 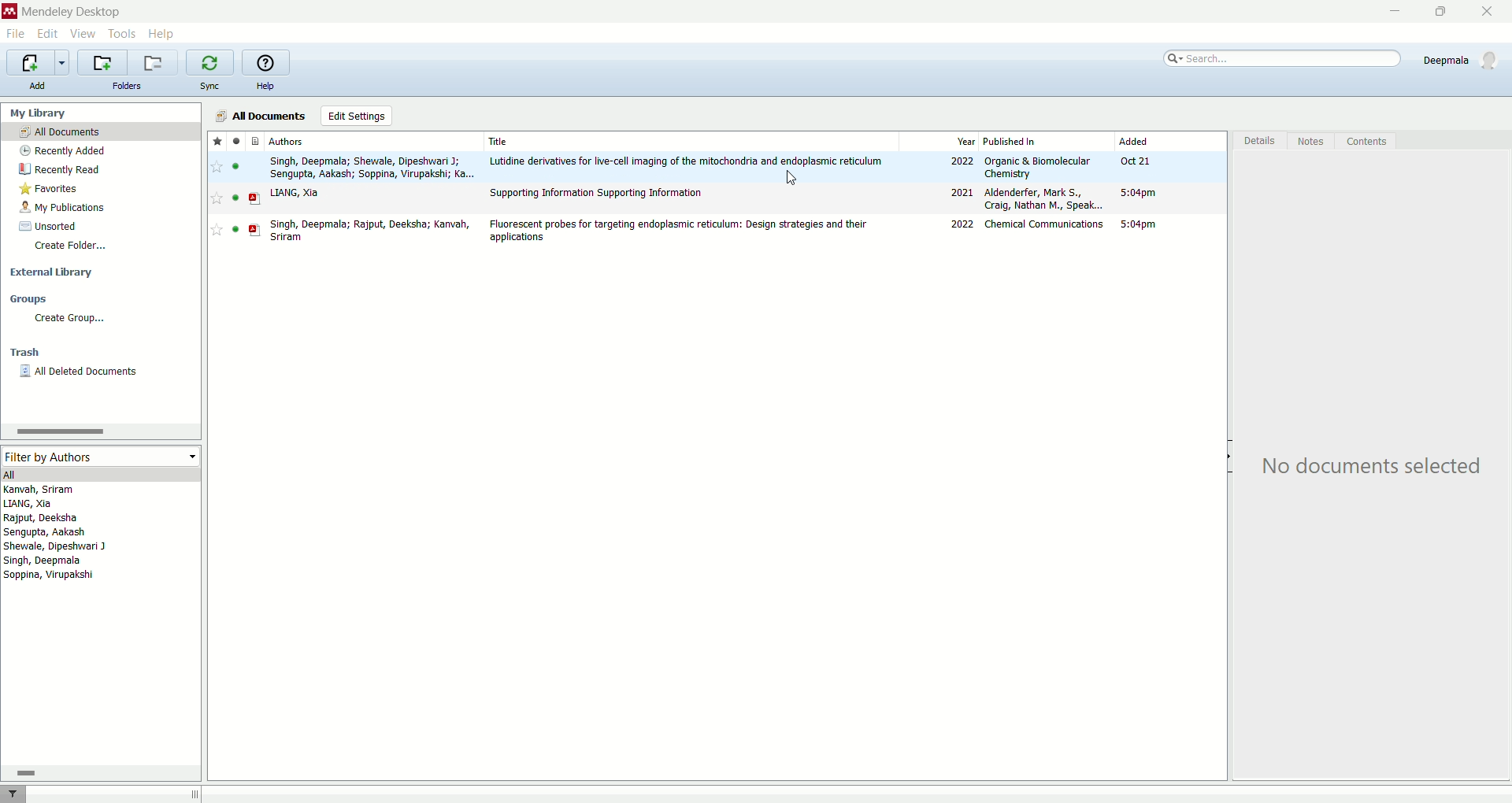 I want to click on file, so click(x=16, y=35).